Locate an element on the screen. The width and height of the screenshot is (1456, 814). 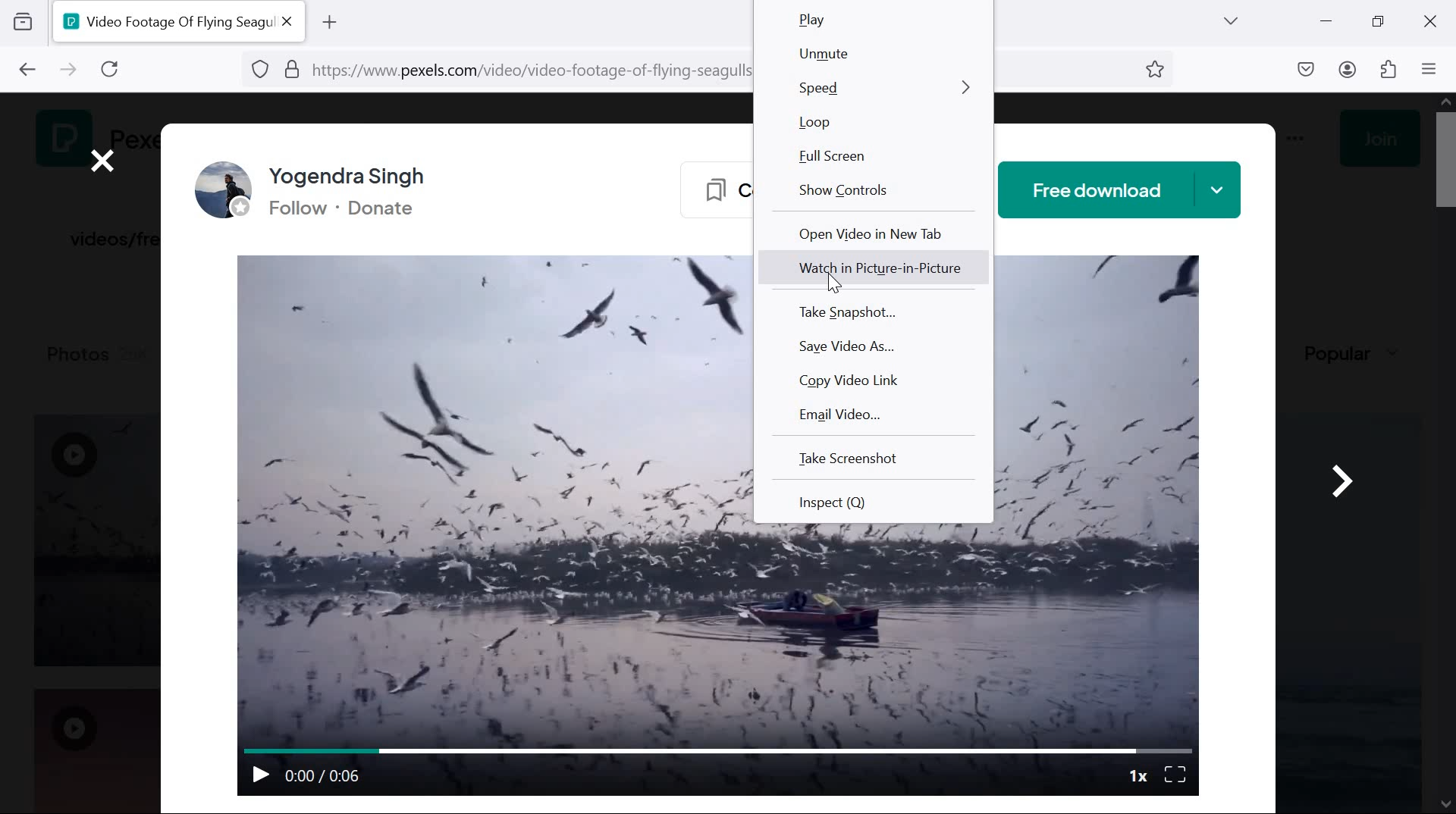
Take screenshot is located at coordinates (850, 458).